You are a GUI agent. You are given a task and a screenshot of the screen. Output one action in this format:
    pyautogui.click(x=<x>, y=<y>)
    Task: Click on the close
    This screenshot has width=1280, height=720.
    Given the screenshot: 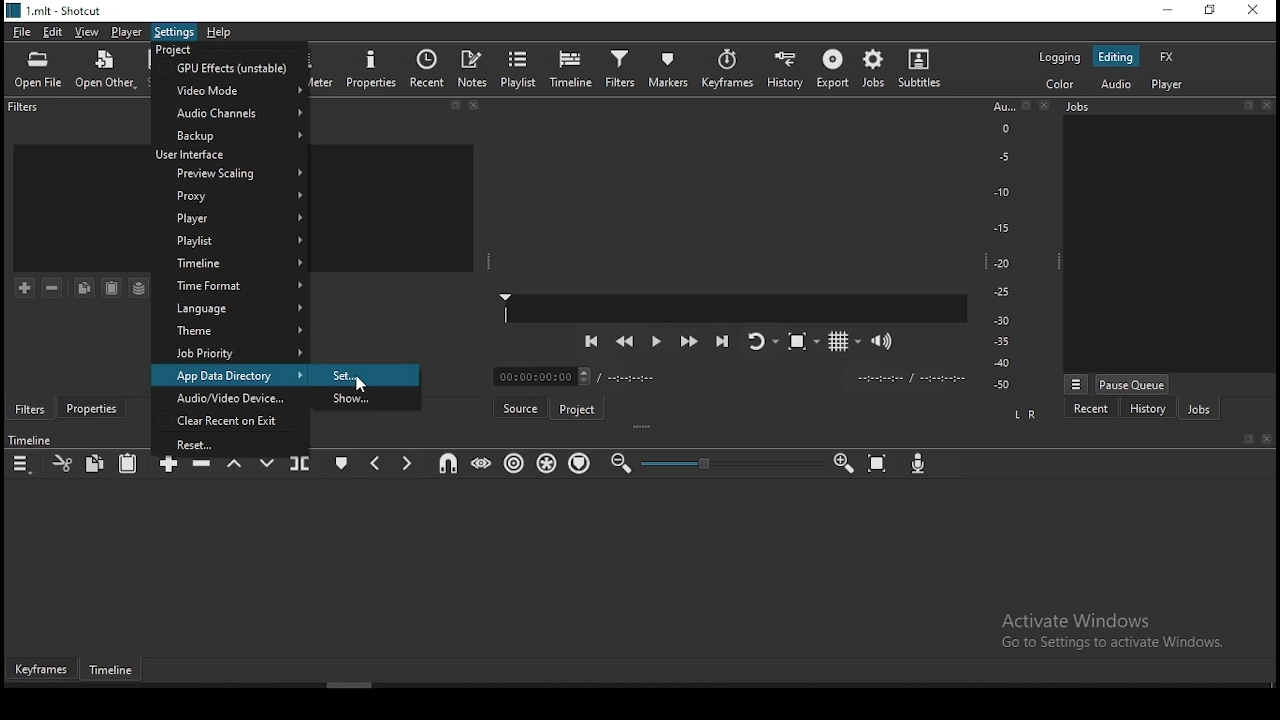 What is the action you would take?
    pyautogui.click(x=1269, y=104)
    